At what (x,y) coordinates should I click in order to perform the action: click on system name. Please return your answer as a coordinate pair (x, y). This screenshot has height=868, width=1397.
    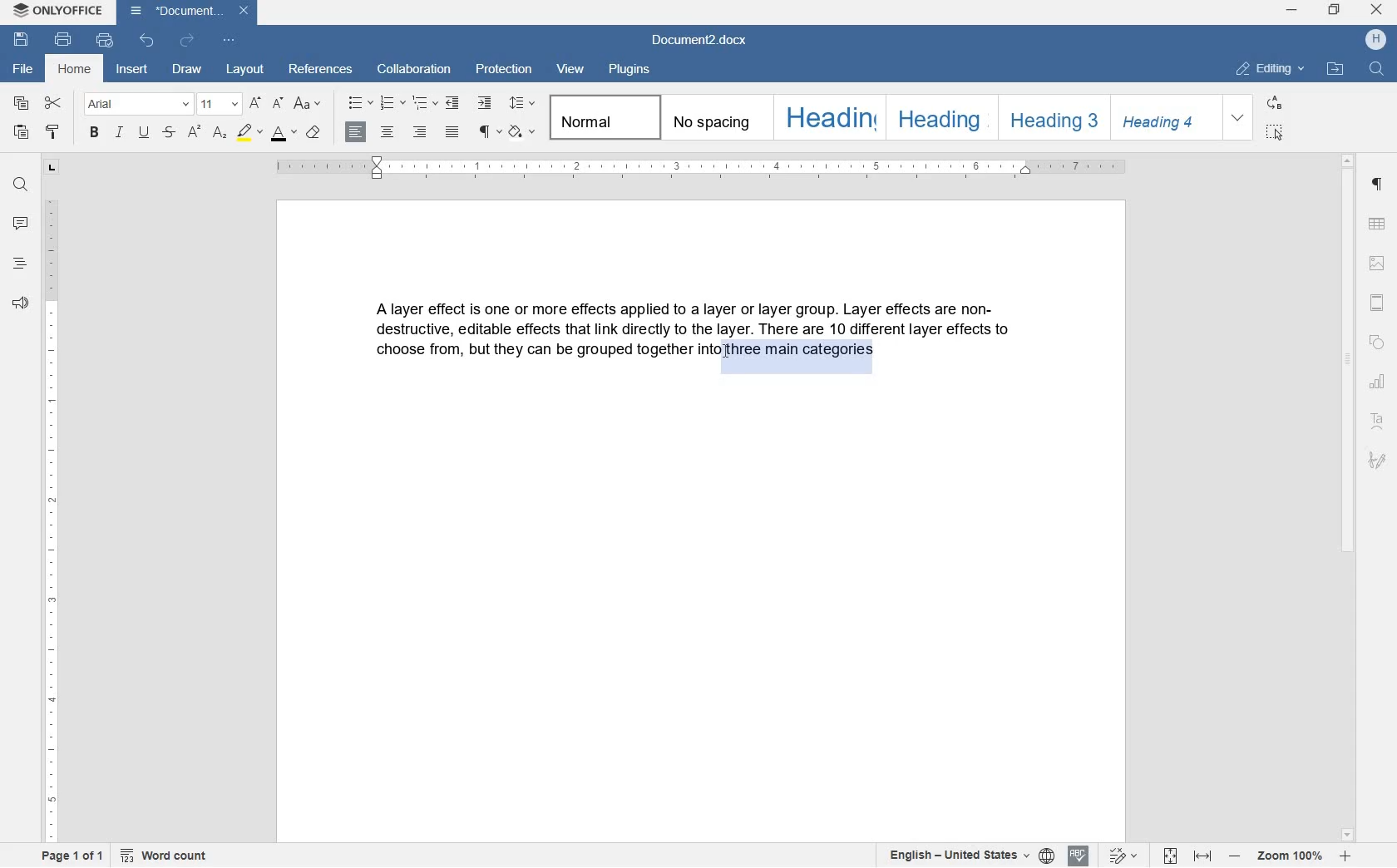
    Looking at the image, I should click on (56, 11).